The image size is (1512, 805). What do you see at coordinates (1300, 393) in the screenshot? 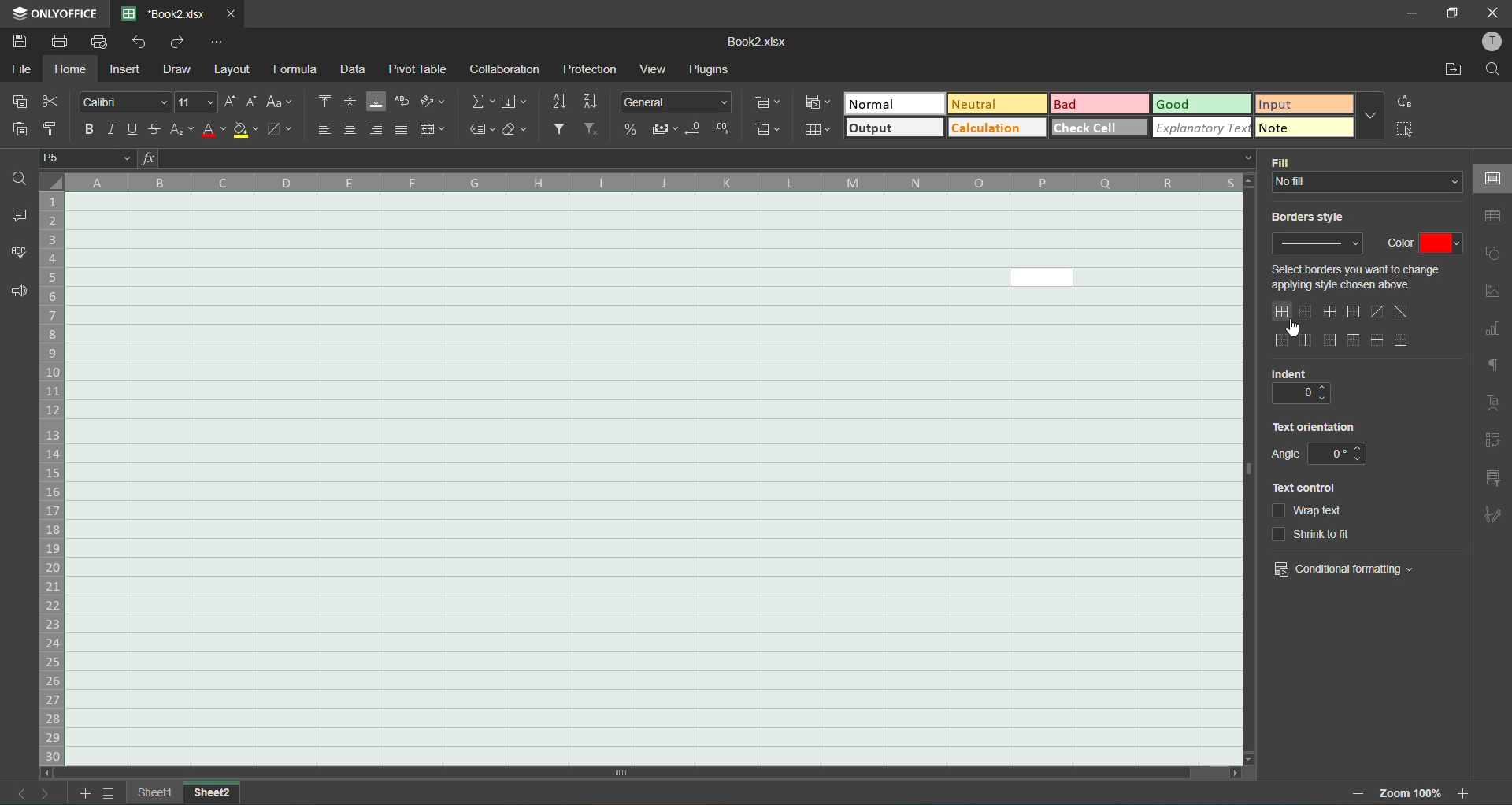
I see `0` at bounding box center [1300, 393].